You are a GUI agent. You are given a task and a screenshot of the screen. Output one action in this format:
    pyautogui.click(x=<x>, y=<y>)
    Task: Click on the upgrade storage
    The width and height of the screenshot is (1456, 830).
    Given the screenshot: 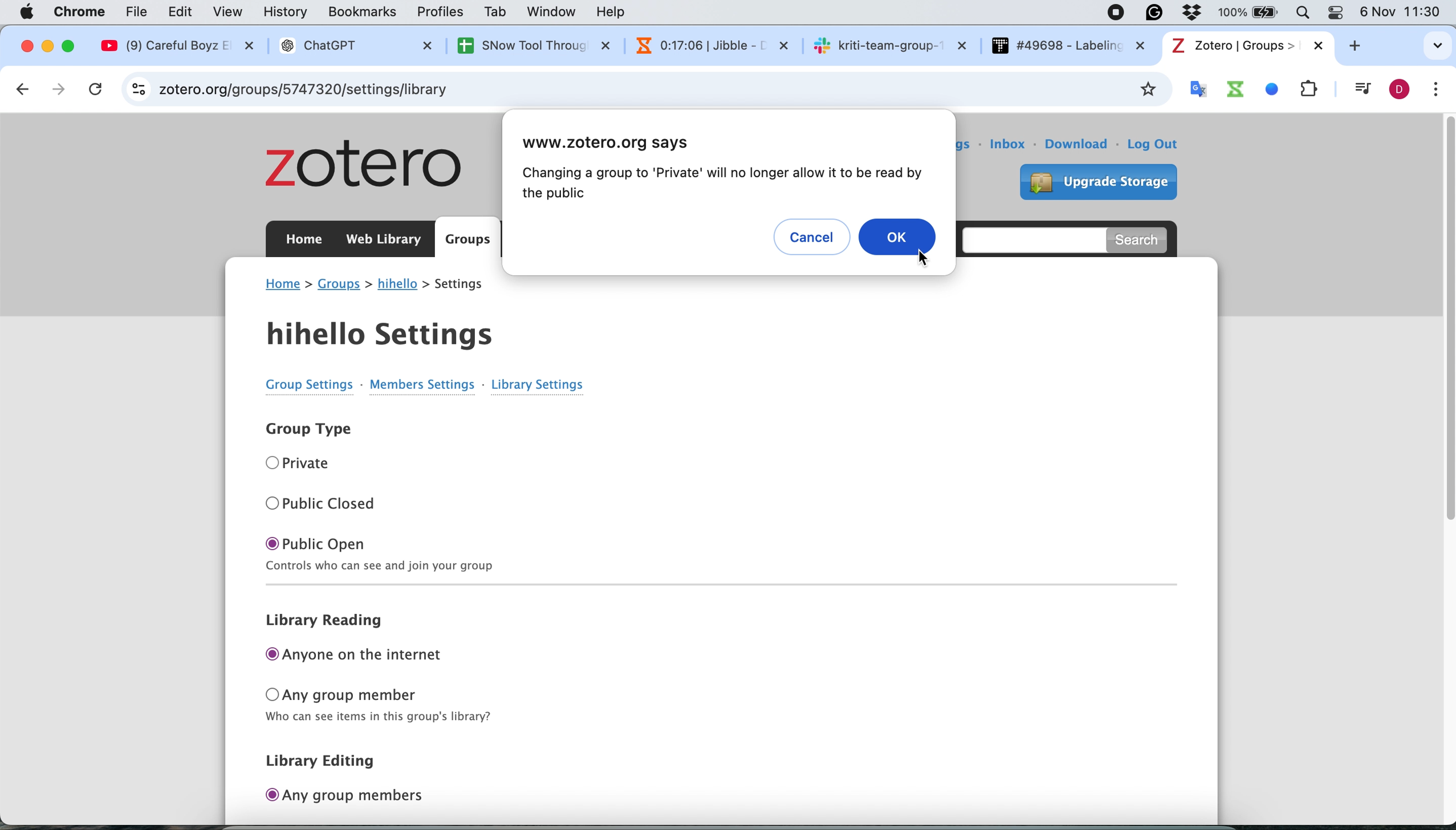 What is the action you would take?
    pyautogui.click(x=1092, y=180)
    